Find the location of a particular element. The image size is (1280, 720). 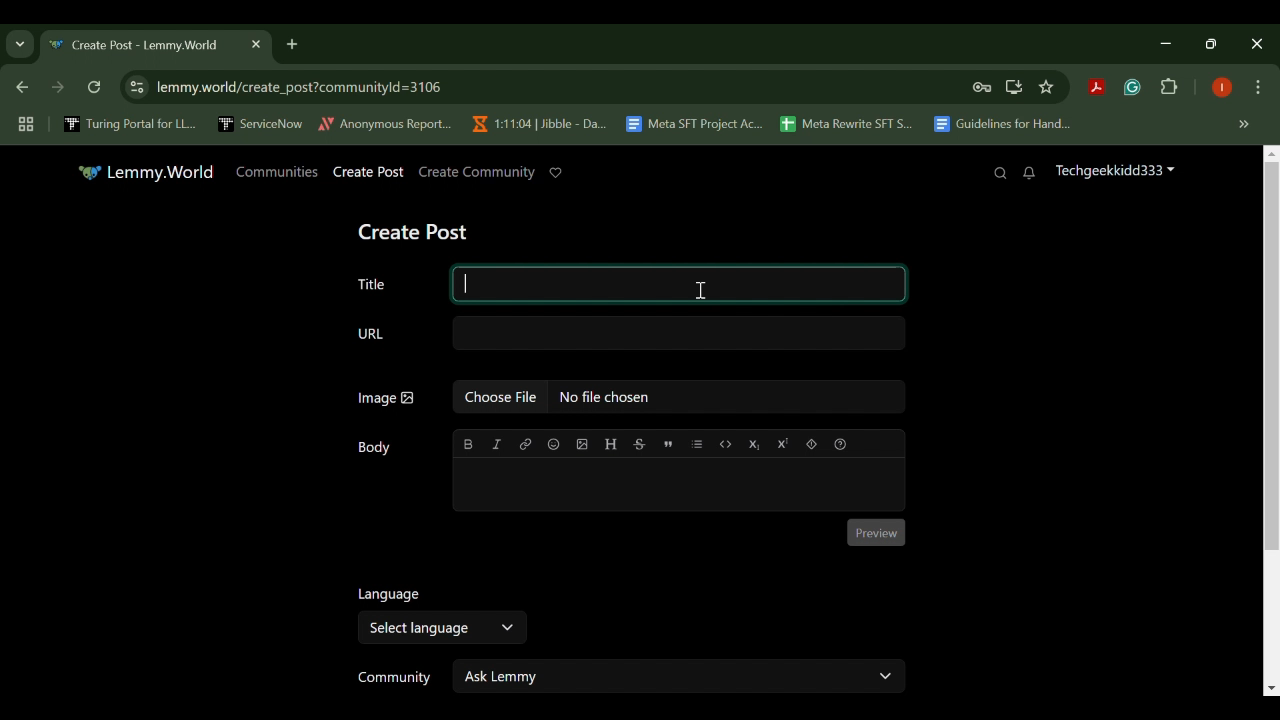

Techgeekkidd333 is located at coordinates (1114, 173).